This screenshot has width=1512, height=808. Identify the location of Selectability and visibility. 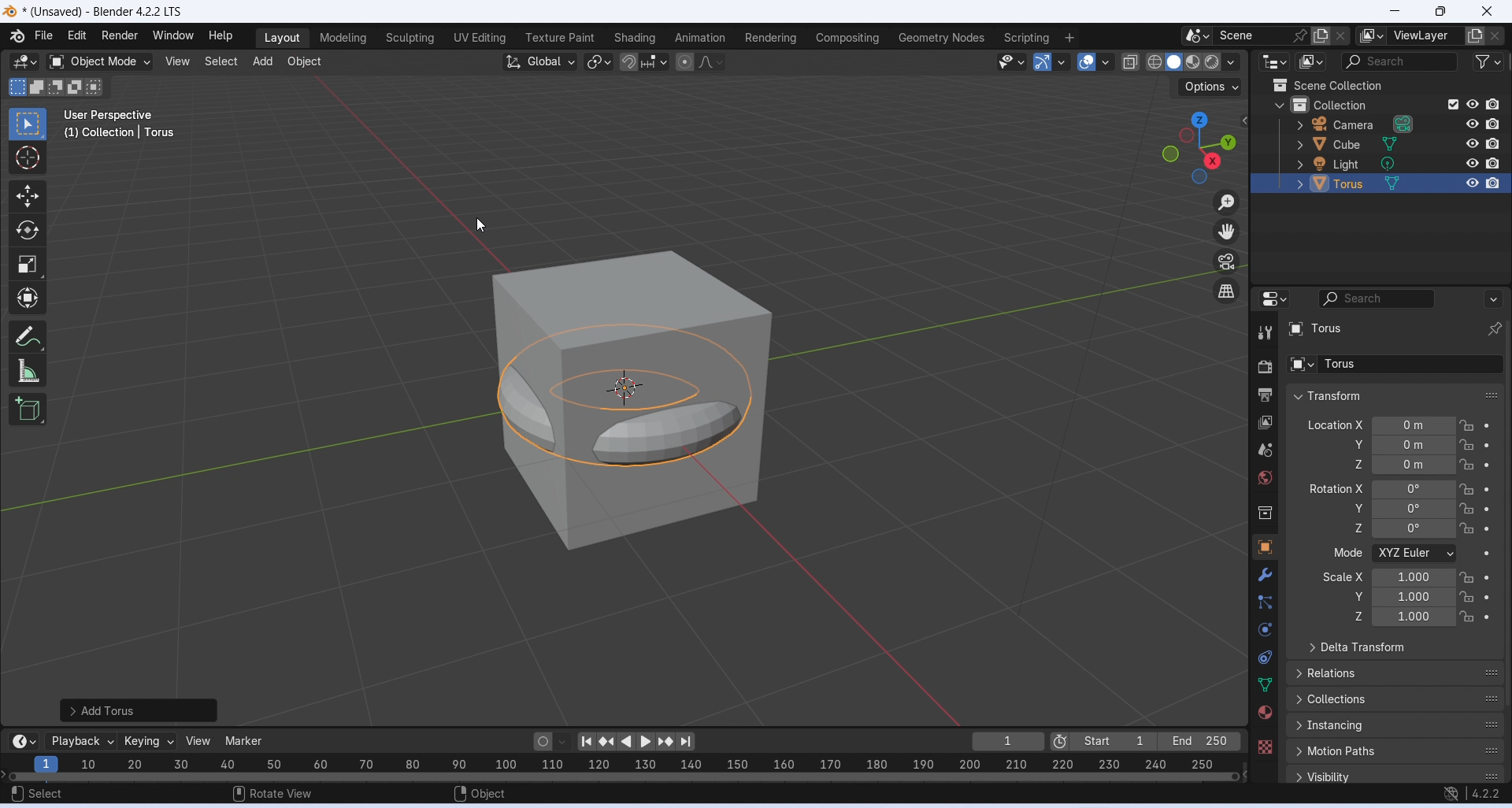
(1011, 60).